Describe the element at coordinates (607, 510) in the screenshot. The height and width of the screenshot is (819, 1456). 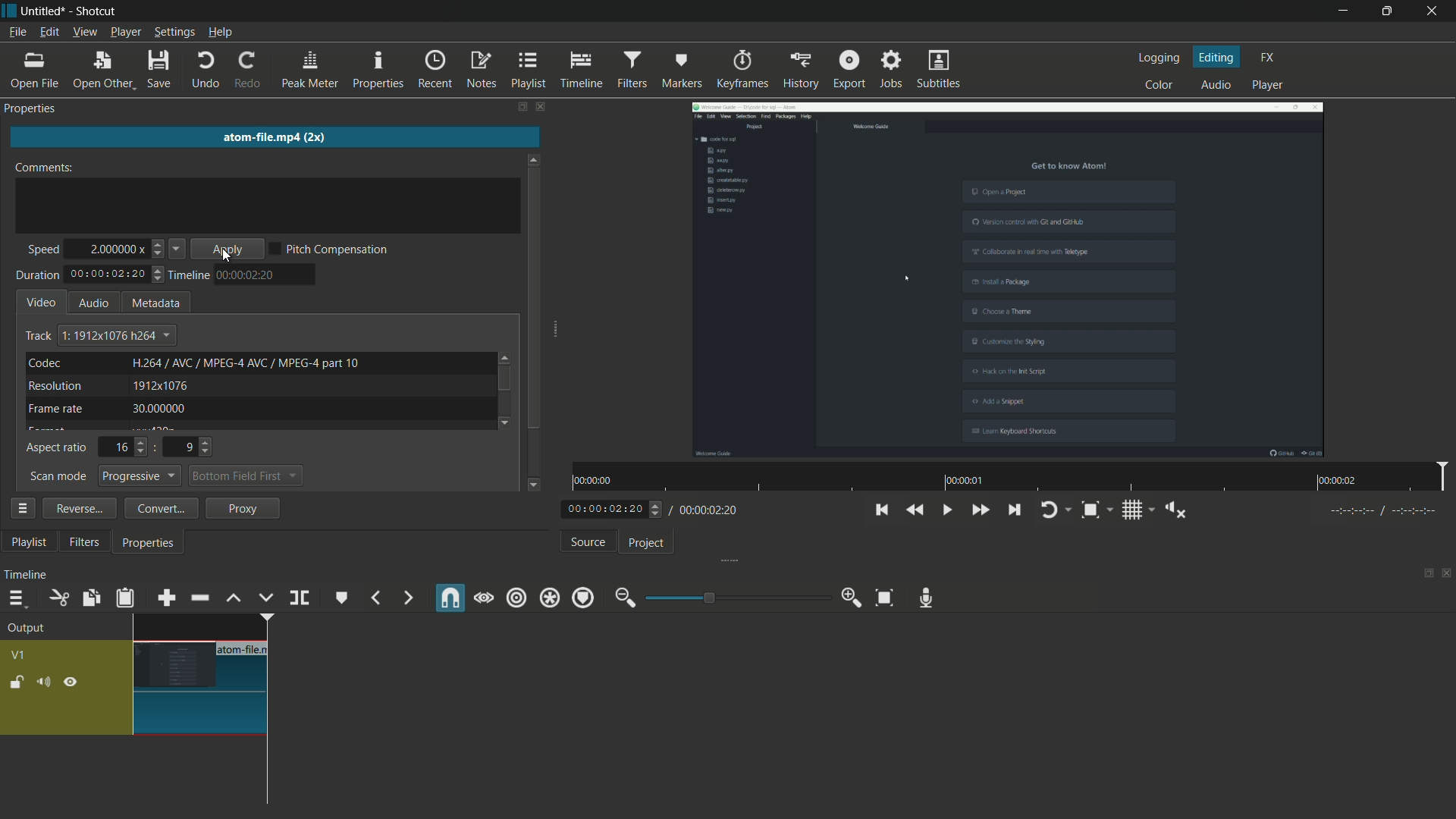
I see `current time` at that location.